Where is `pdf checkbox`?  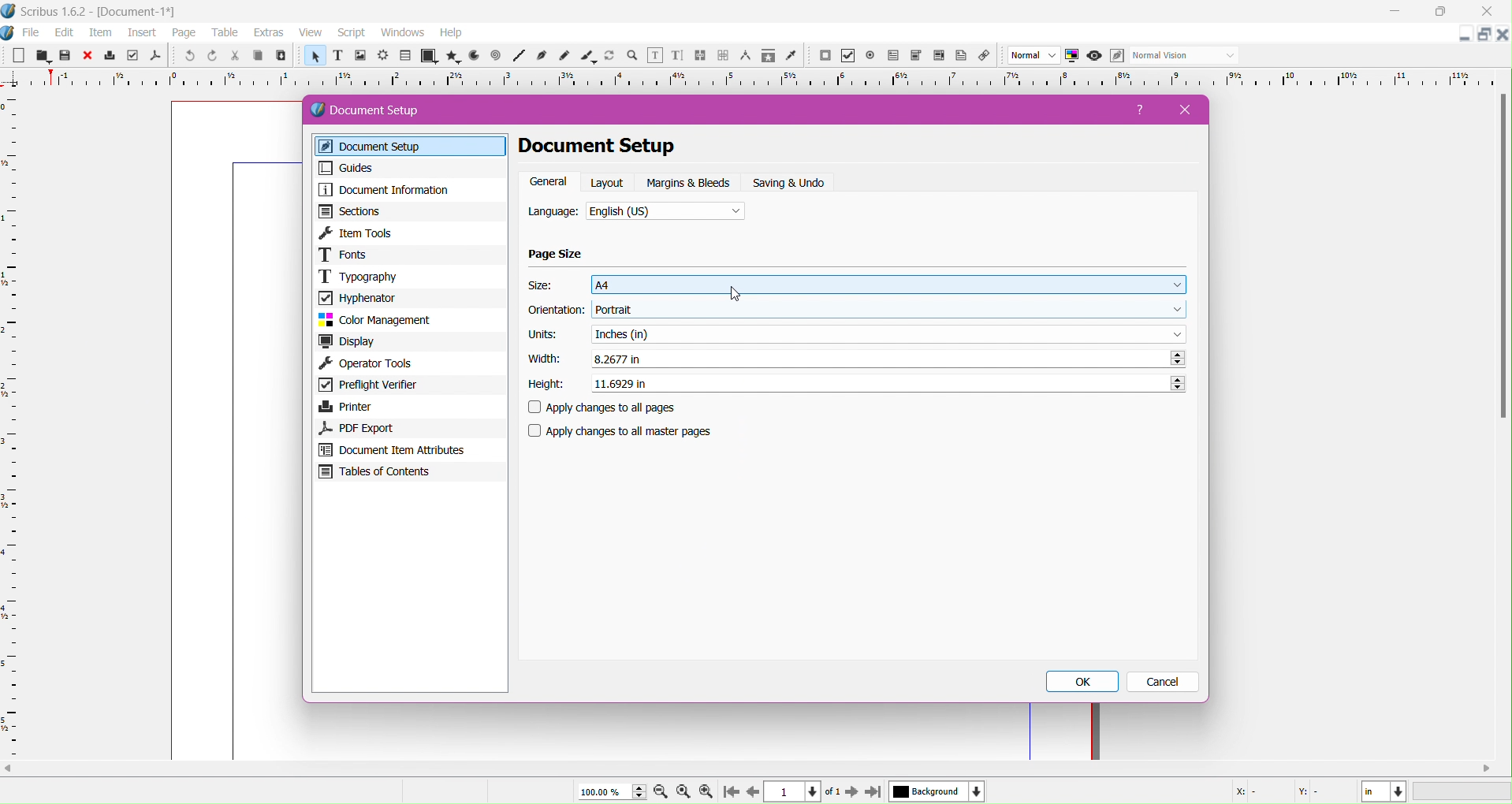
pdf checkbox is located at coordinates (892, 56).